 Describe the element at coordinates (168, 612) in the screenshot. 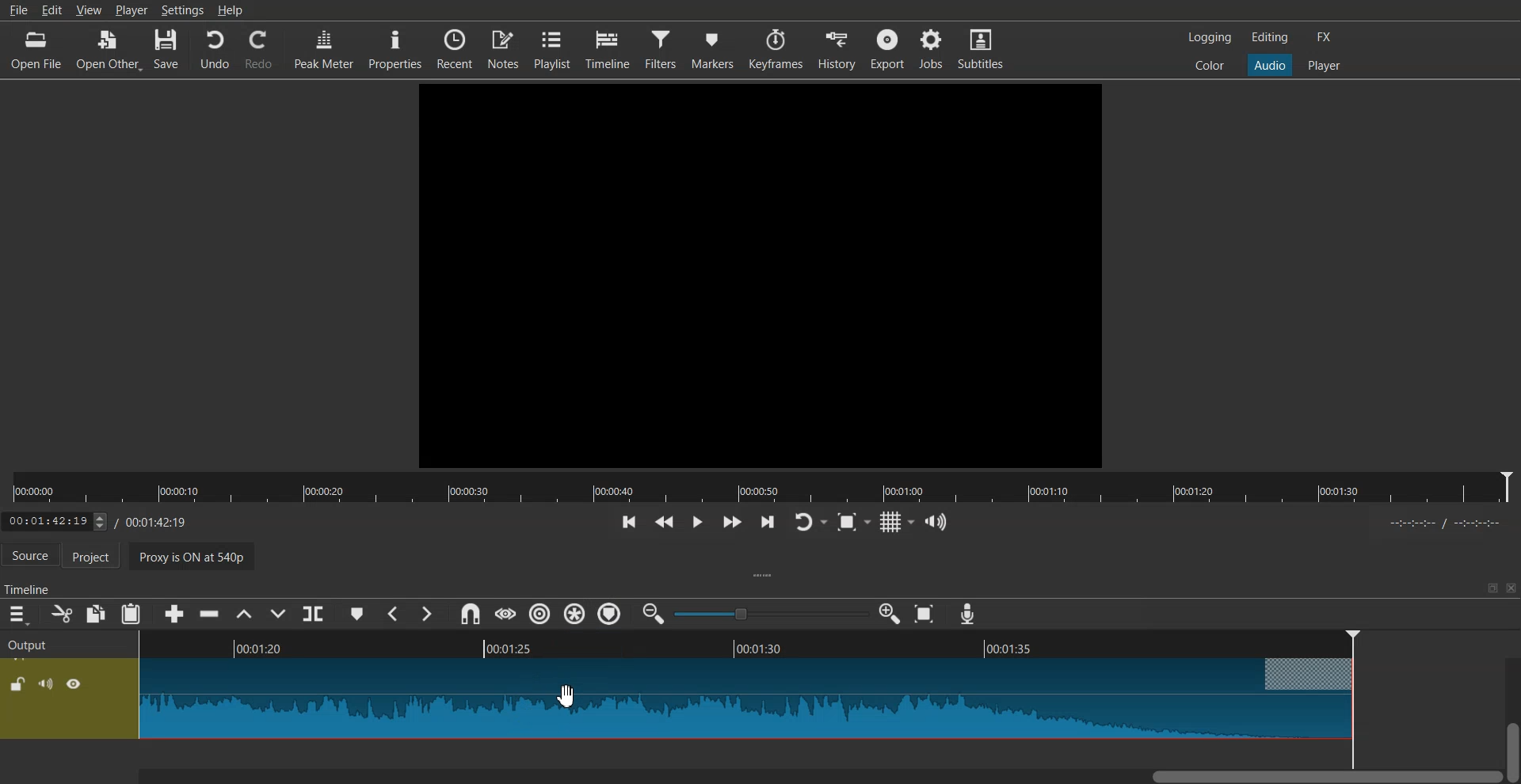

I see `Append` at that location.